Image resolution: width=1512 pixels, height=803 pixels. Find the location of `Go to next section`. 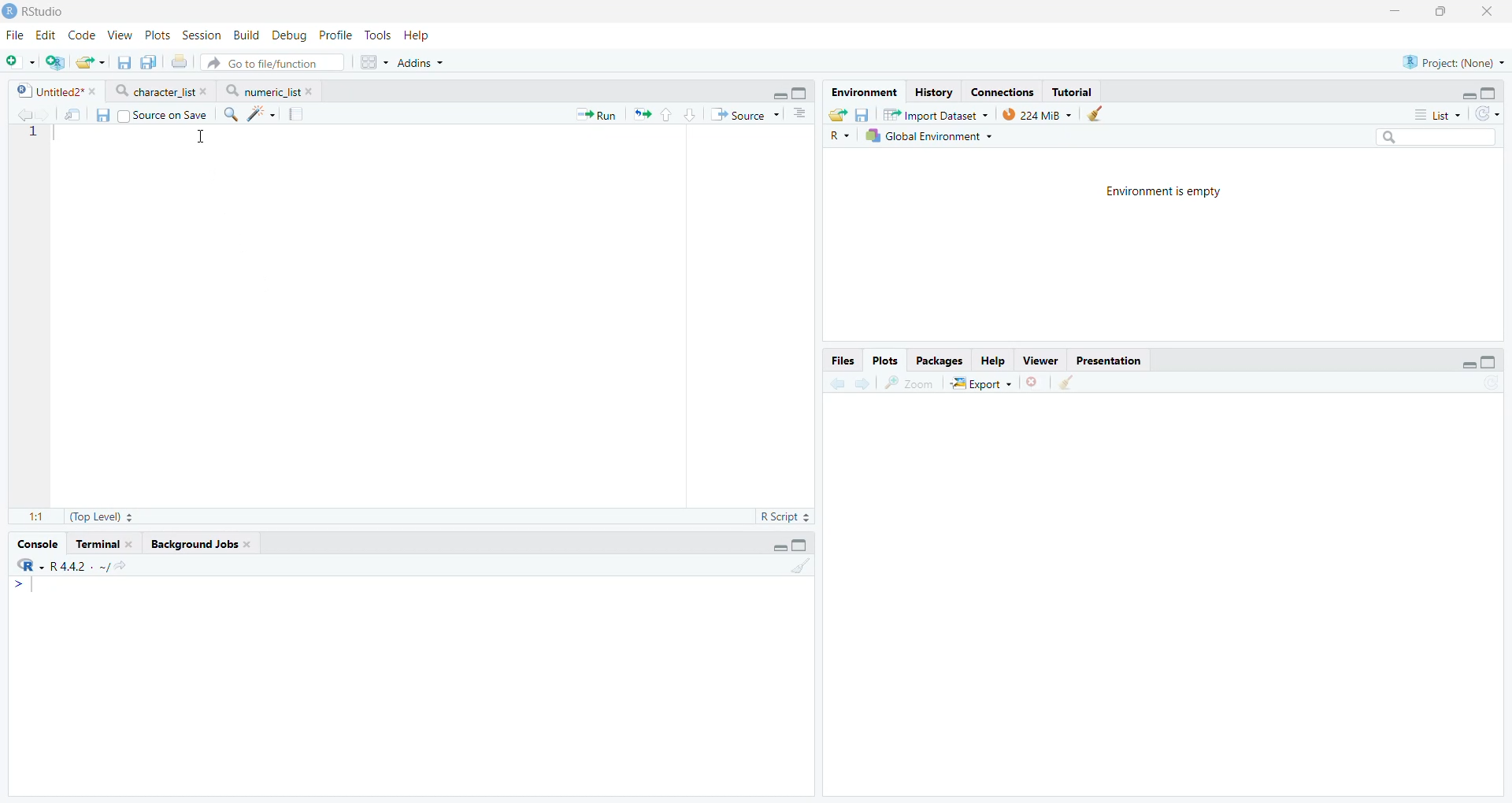

Go to next section is located at coordinates (691, 113).